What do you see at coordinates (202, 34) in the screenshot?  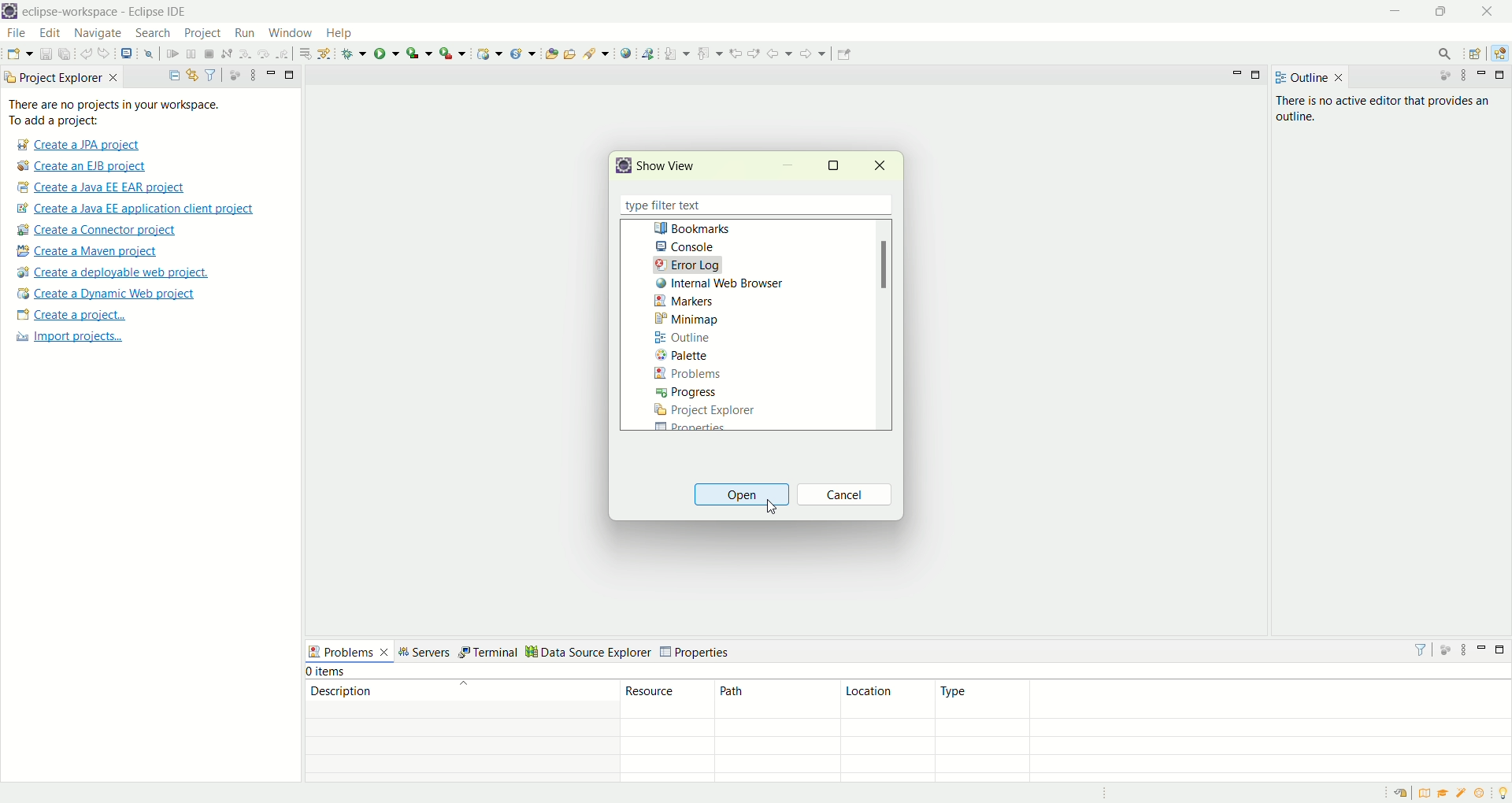 I see `project` at bounding box center [202, 34].